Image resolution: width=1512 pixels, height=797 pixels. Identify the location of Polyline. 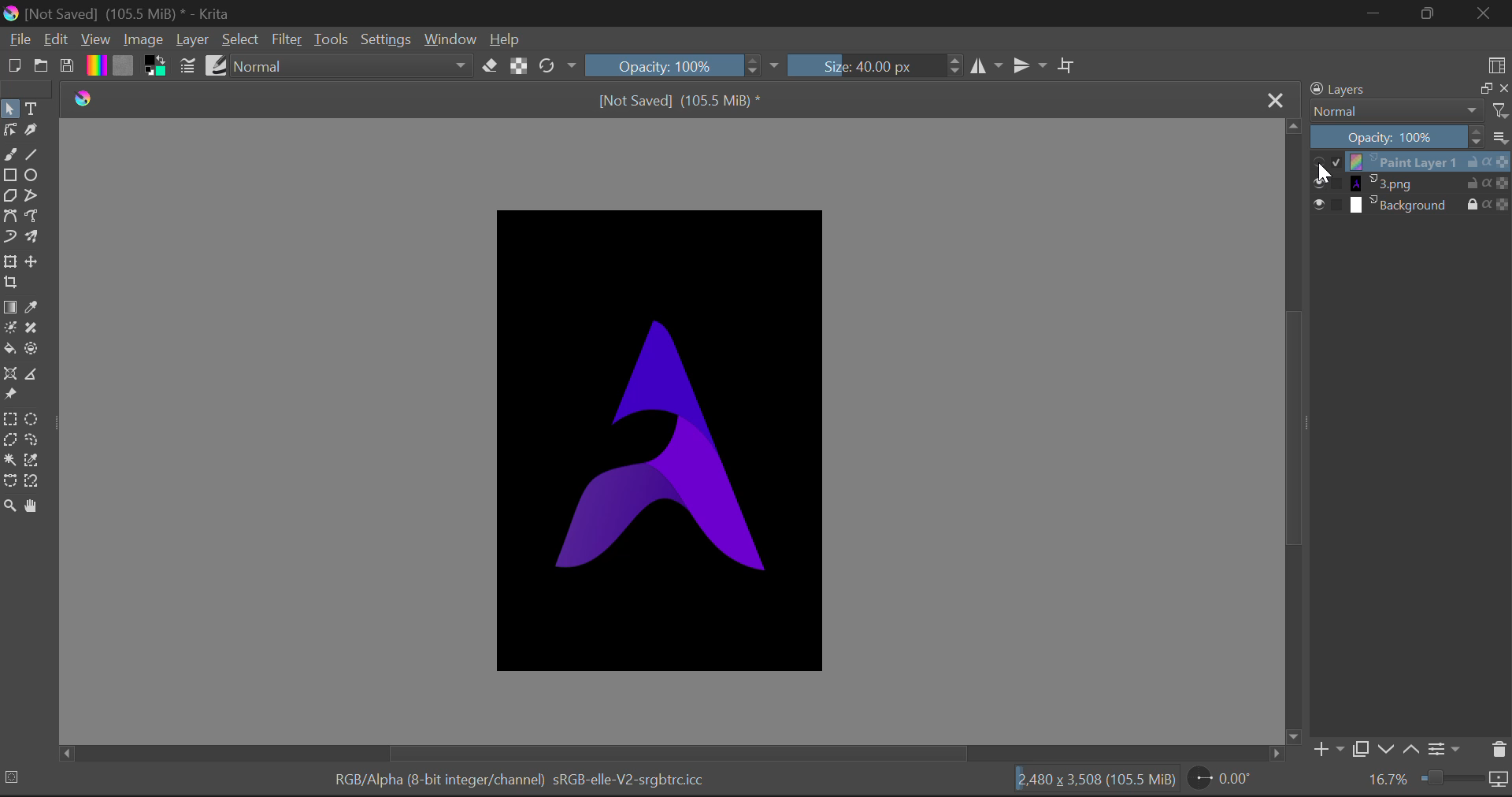
(34, 196).